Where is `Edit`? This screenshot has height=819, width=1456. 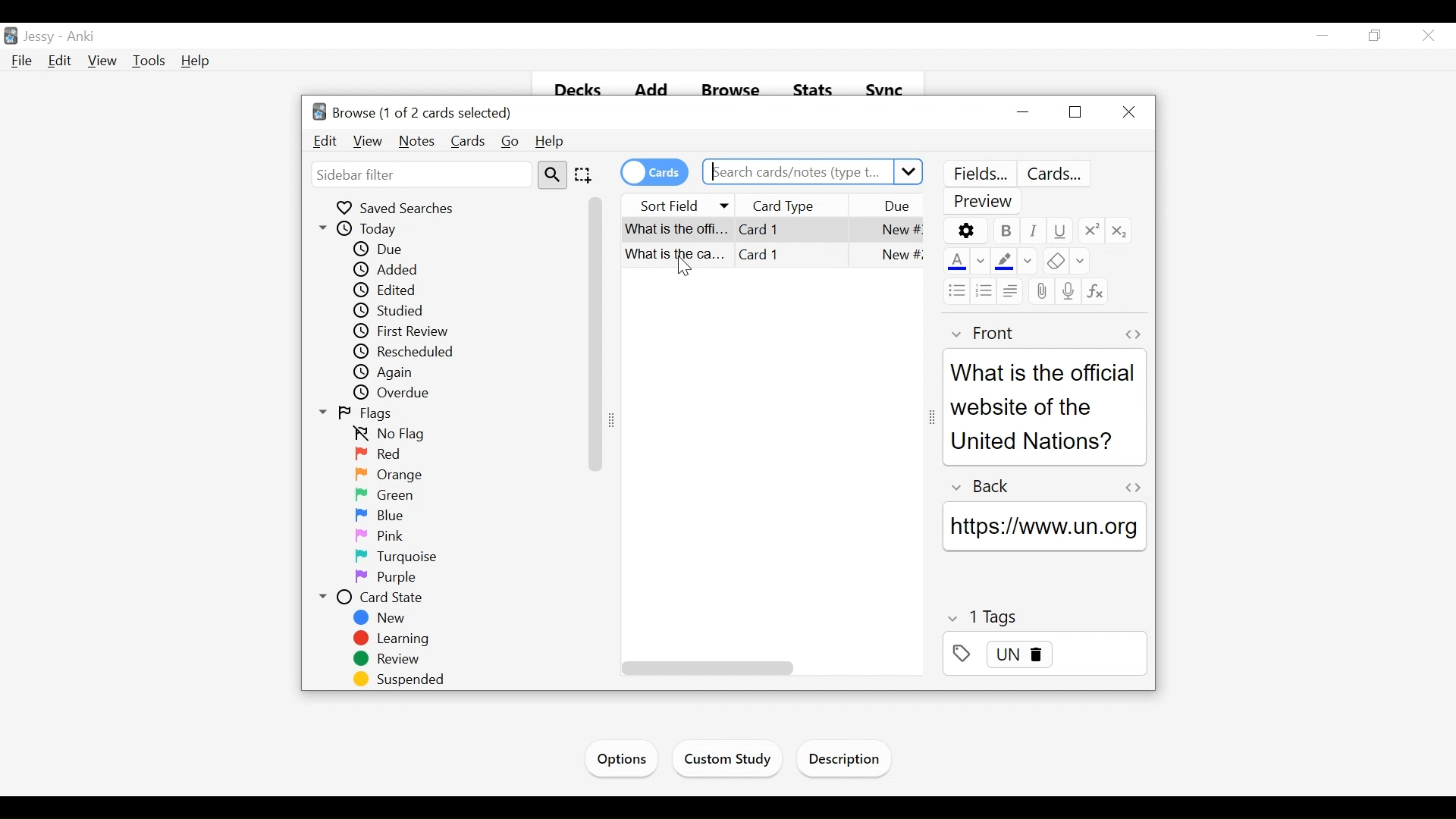
Edit is located at coordinates (61, 61).